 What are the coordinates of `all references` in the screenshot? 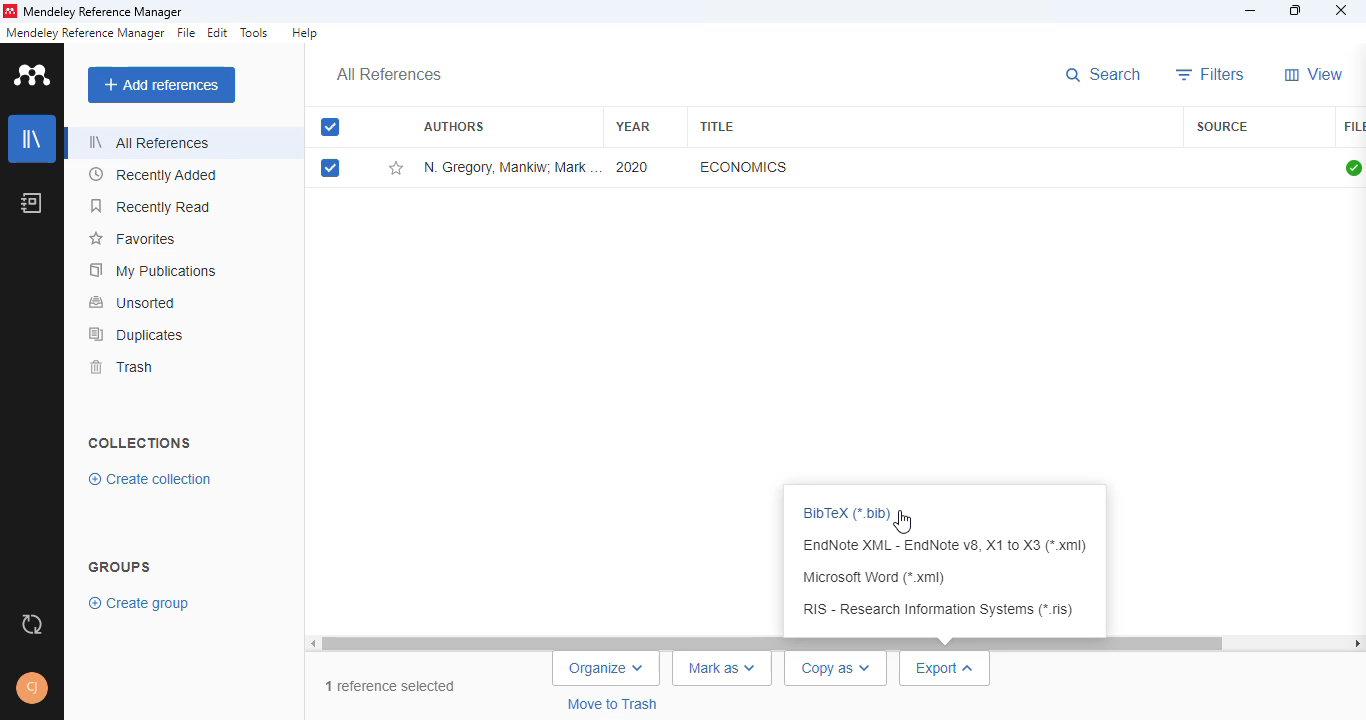 It's located at (151, 141).